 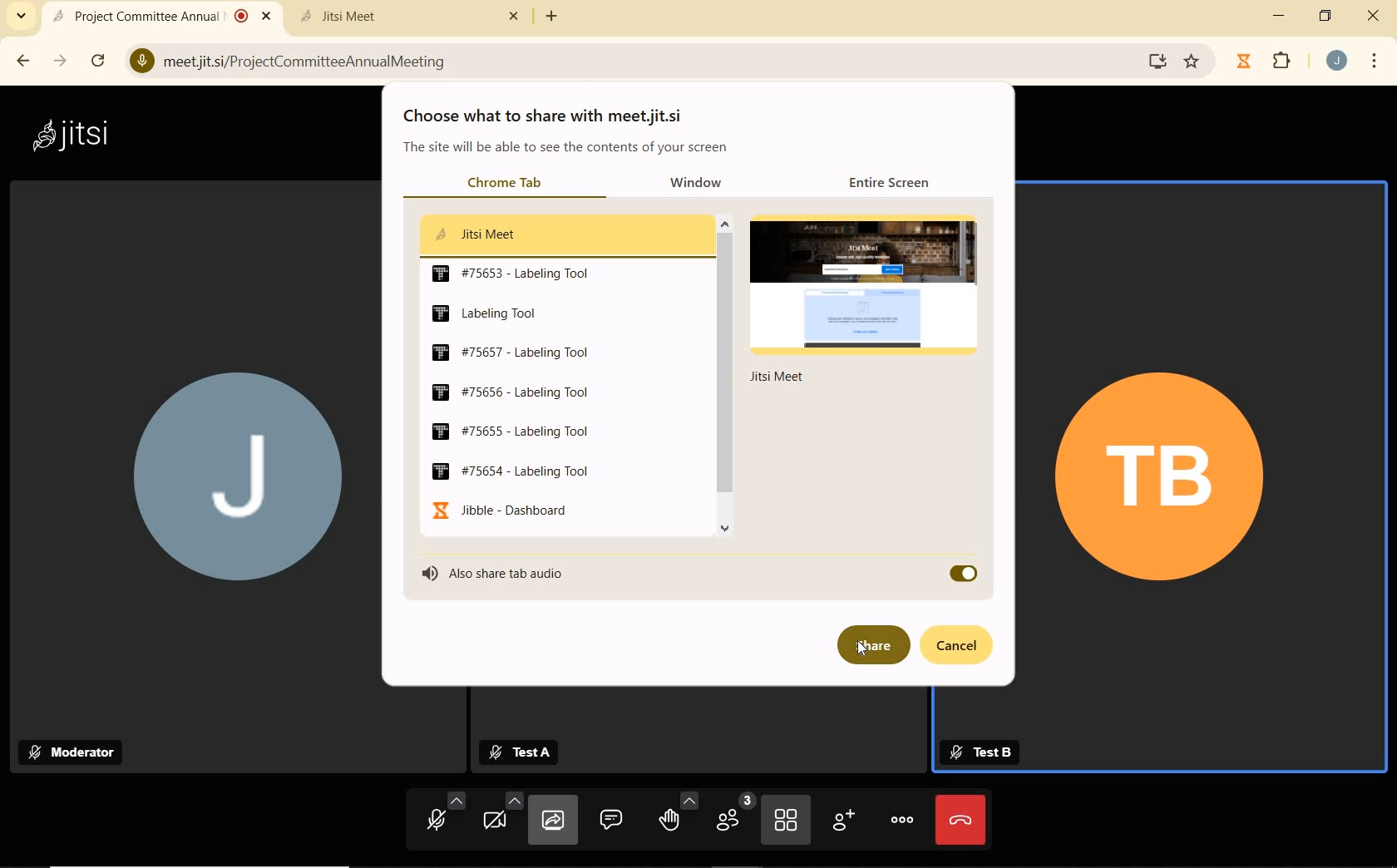 What do you see at coordinates (412, 16) in the screenshot?
I see `Jitsi Meet` at bounding box center [412, 16].